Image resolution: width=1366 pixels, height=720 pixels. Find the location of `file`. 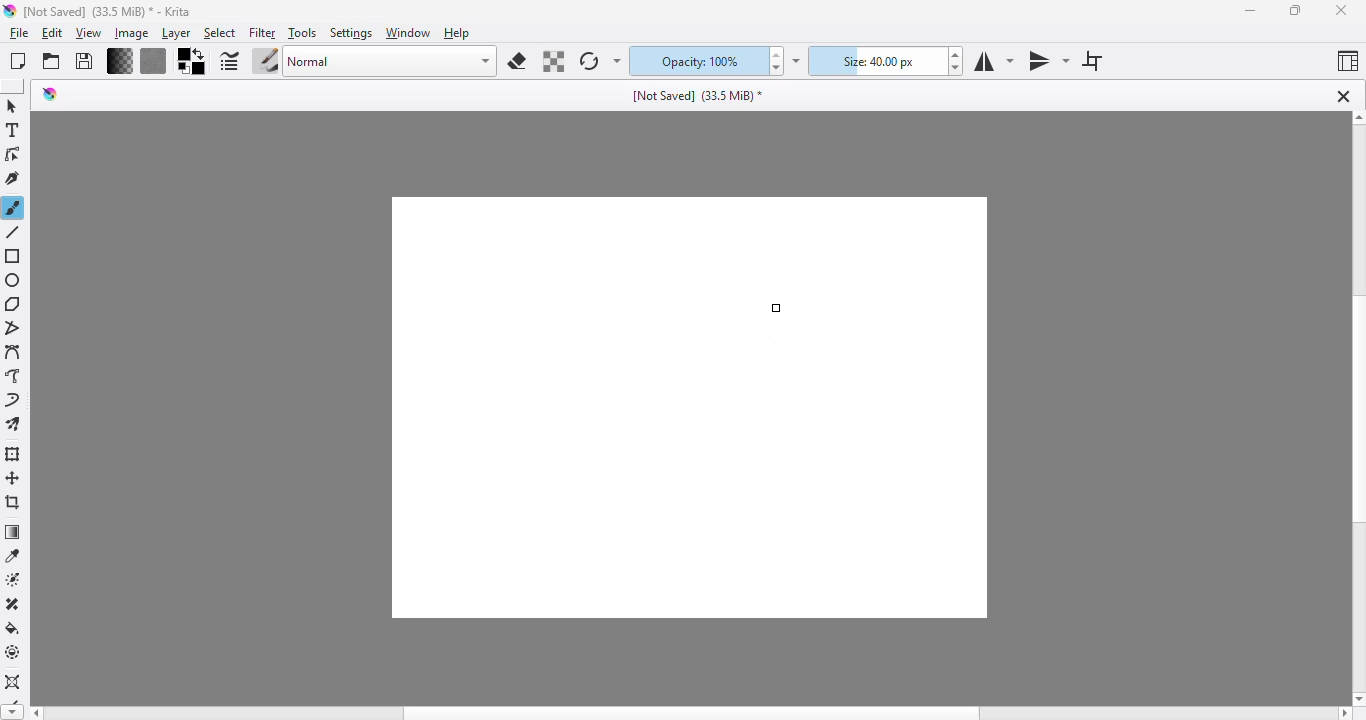

file is located at coordinates (19, 33).